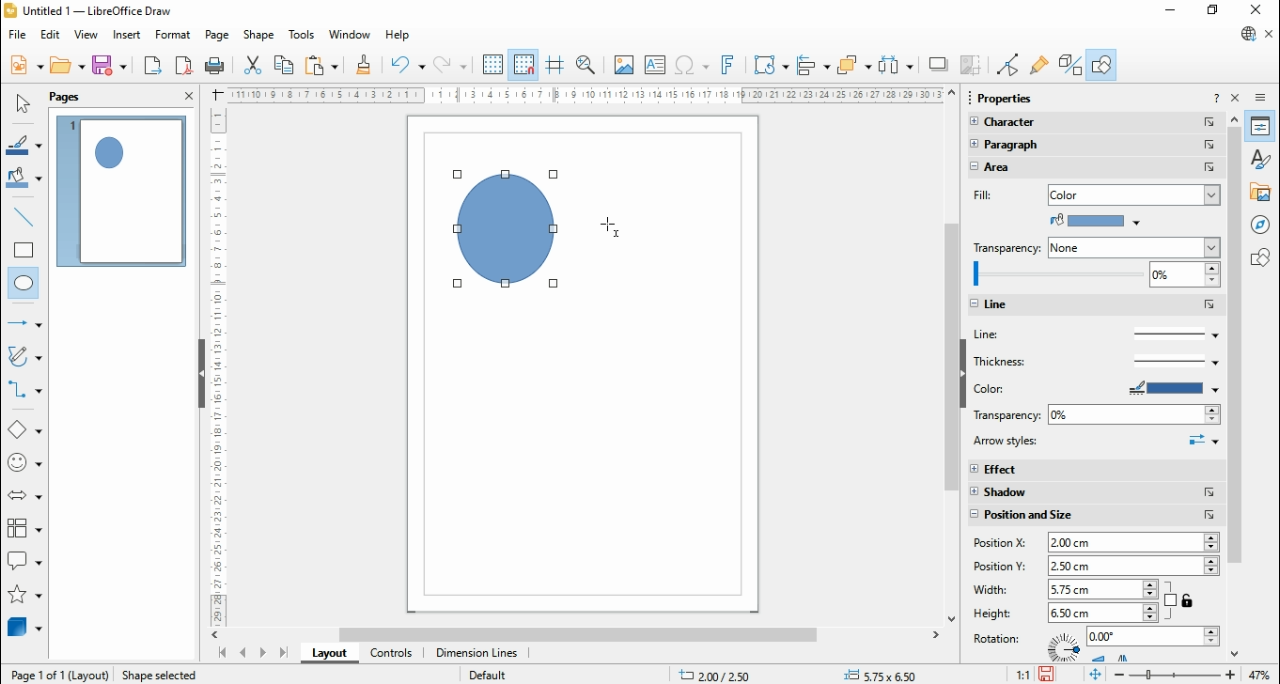 The image size is (1280, 684). I want to click on line, so click(1093, 334).